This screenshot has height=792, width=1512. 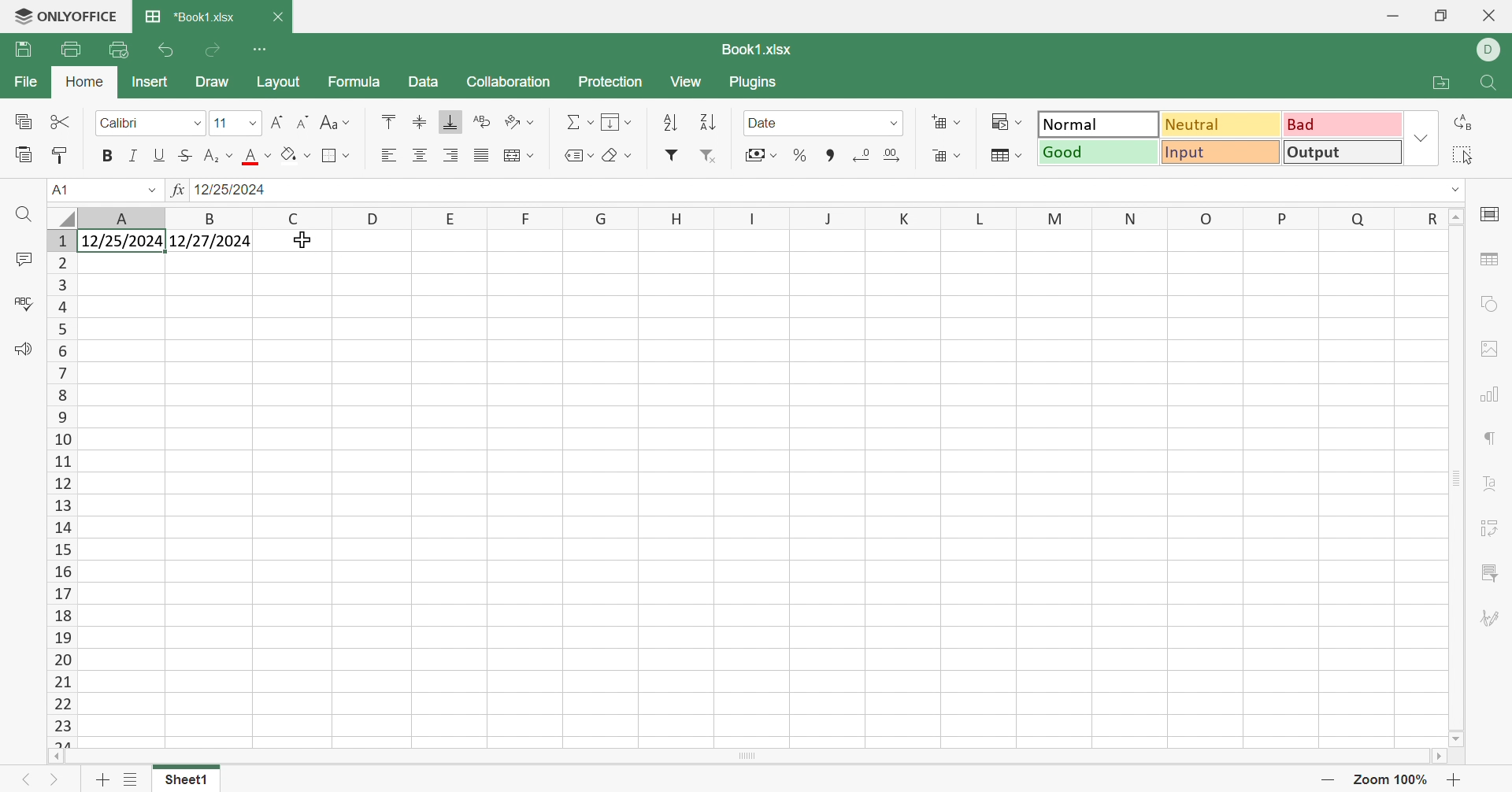 What do you see at coordinates (281, 16) in the screenshot?
I see `Close` at bounding box center [281, 16].